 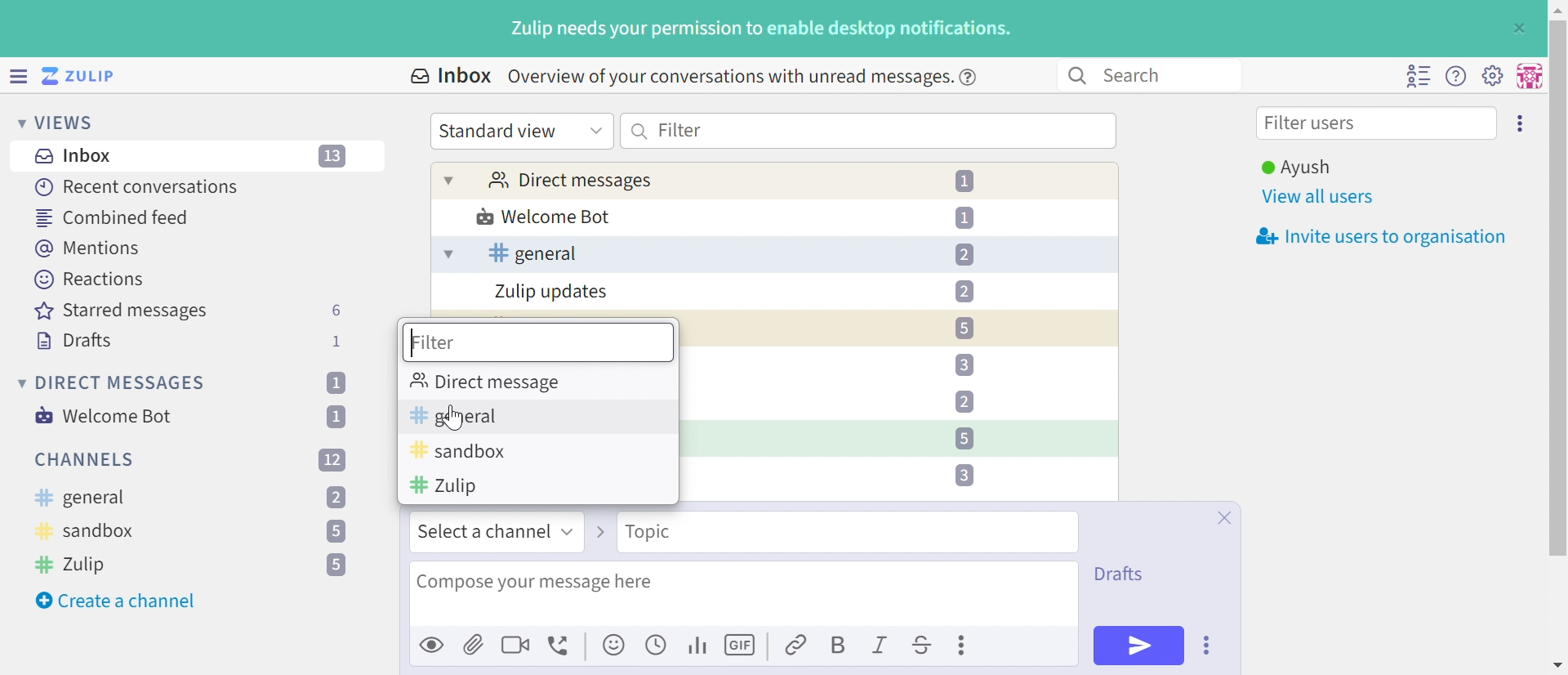 I want to click on ZULIP, so click(x=89, y=77).